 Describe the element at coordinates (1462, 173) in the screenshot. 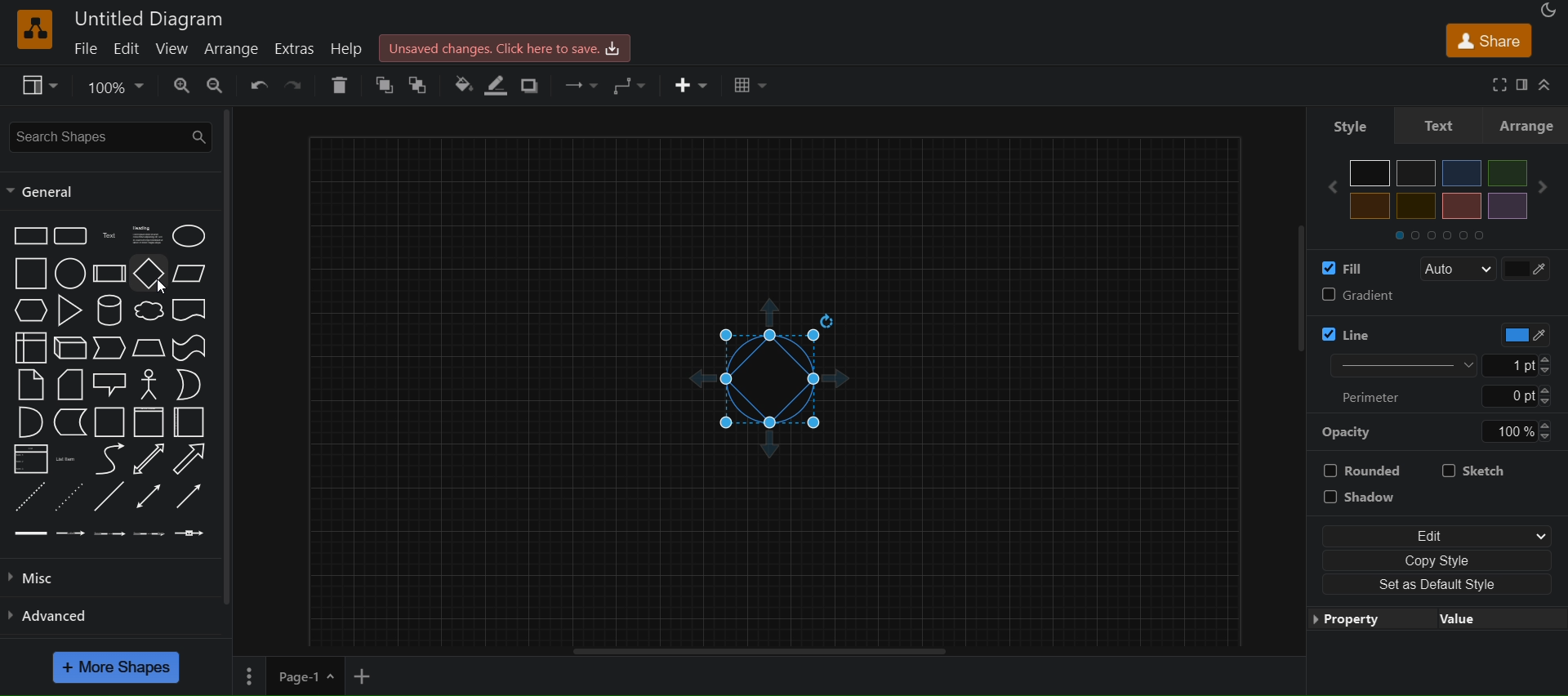

I see `blue color` at that location.